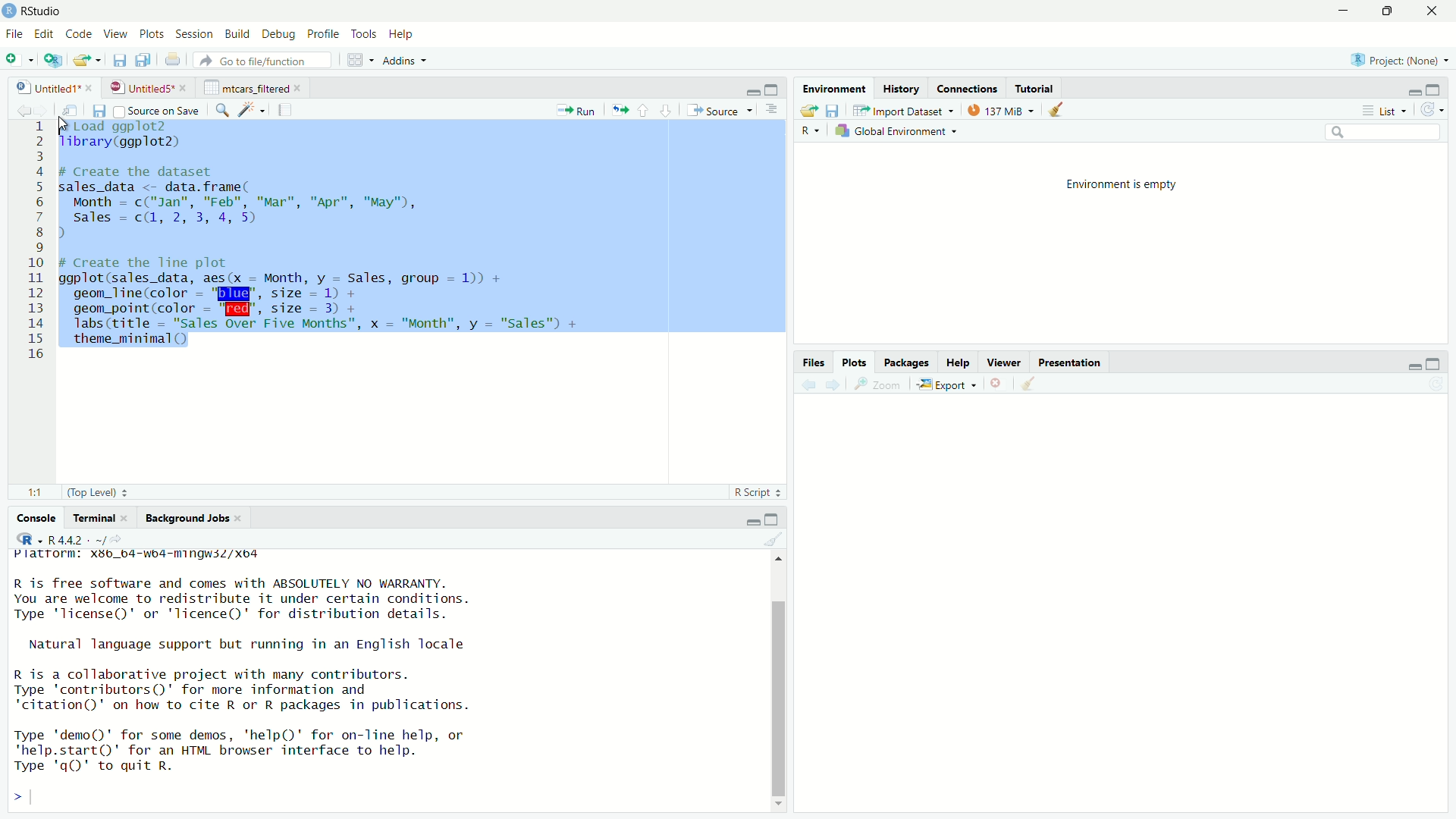  What do you see at coordinates (774, 89) in the screenshot?
I see `maximize` at bounding box center [774, 89].